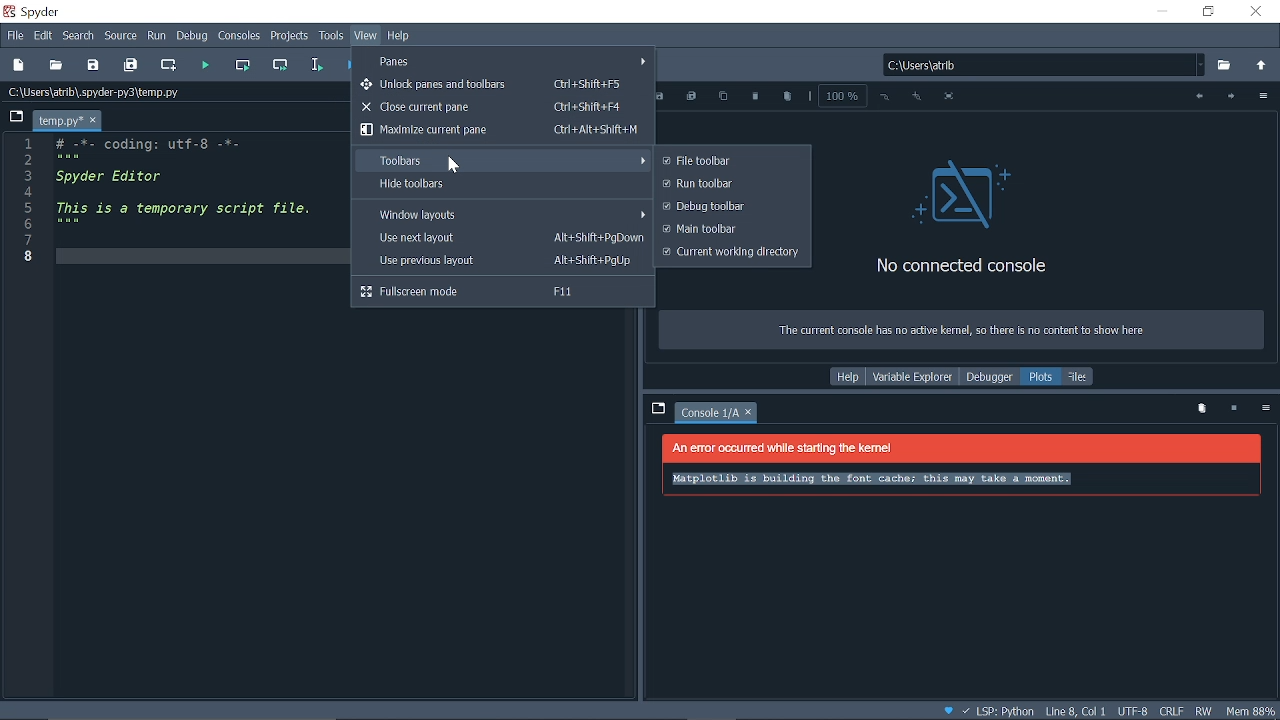 The width and height of the screenshot is (1280, 720). I want to click on Close current tab, so click(93, 121).